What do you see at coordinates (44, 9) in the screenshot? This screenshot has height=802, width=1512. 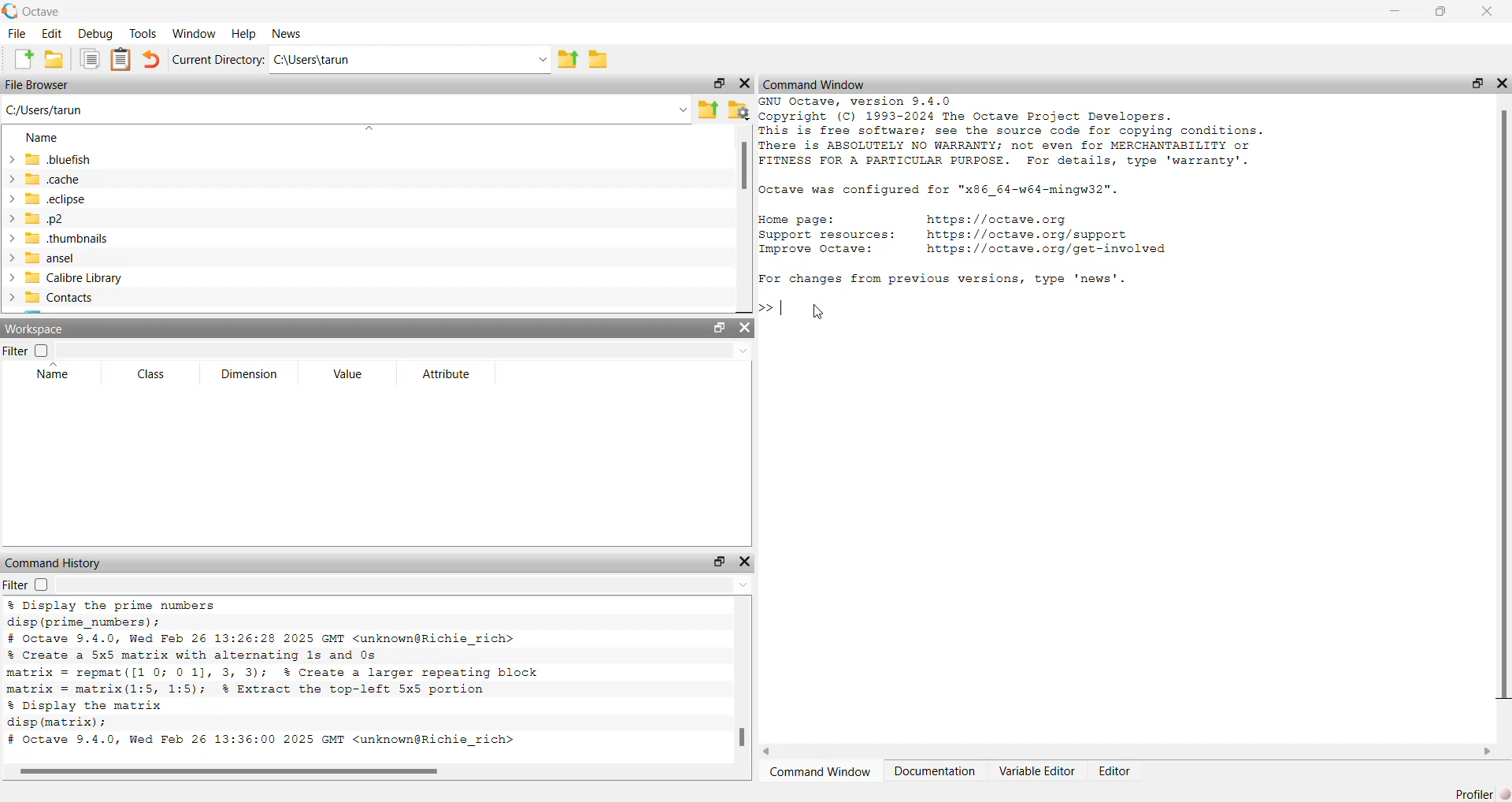 I see `octave` at bounding box center [44, 9].